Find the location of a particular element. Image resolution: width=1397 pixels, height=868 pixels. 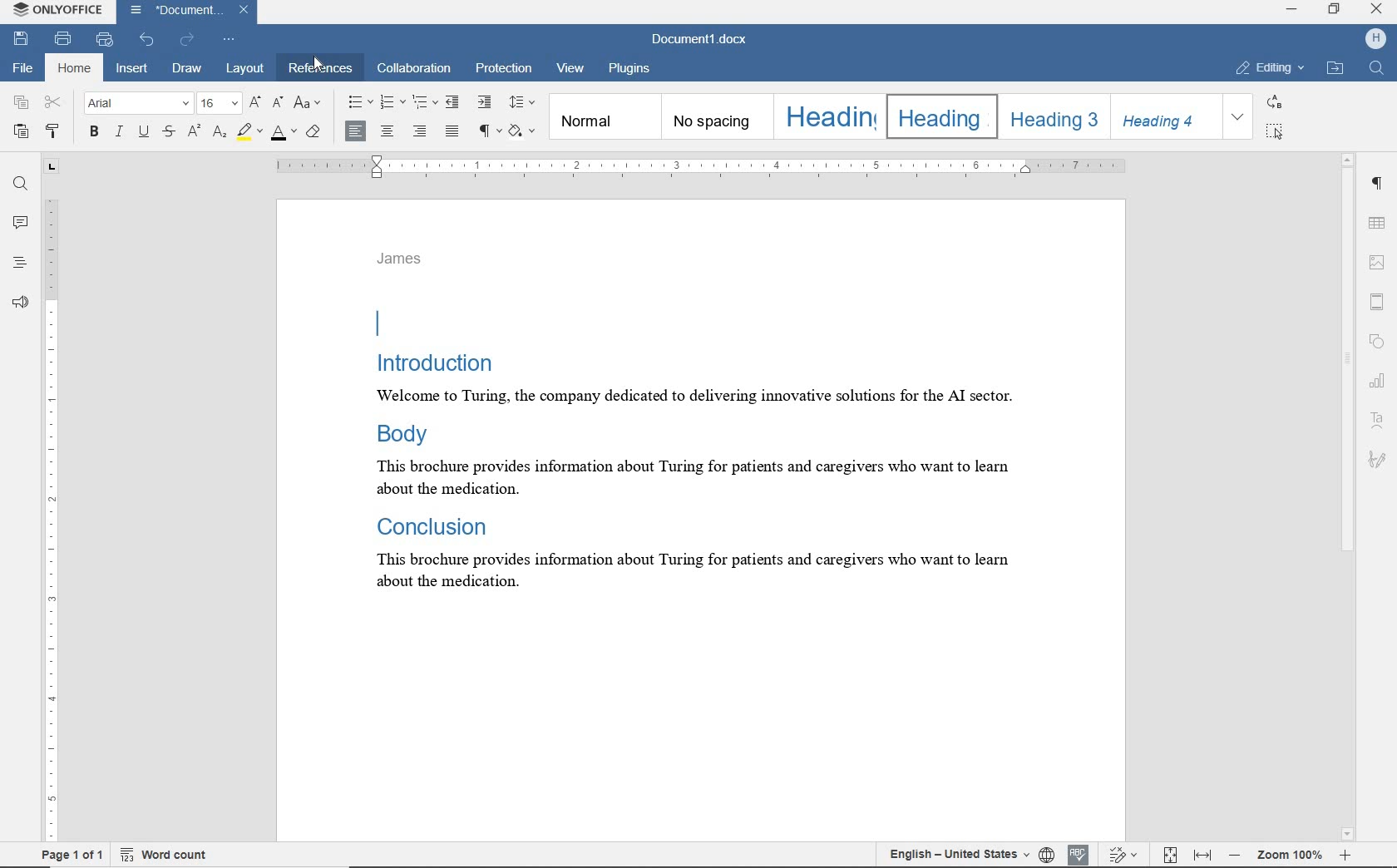

bullets is located at coordinates (360, 103).